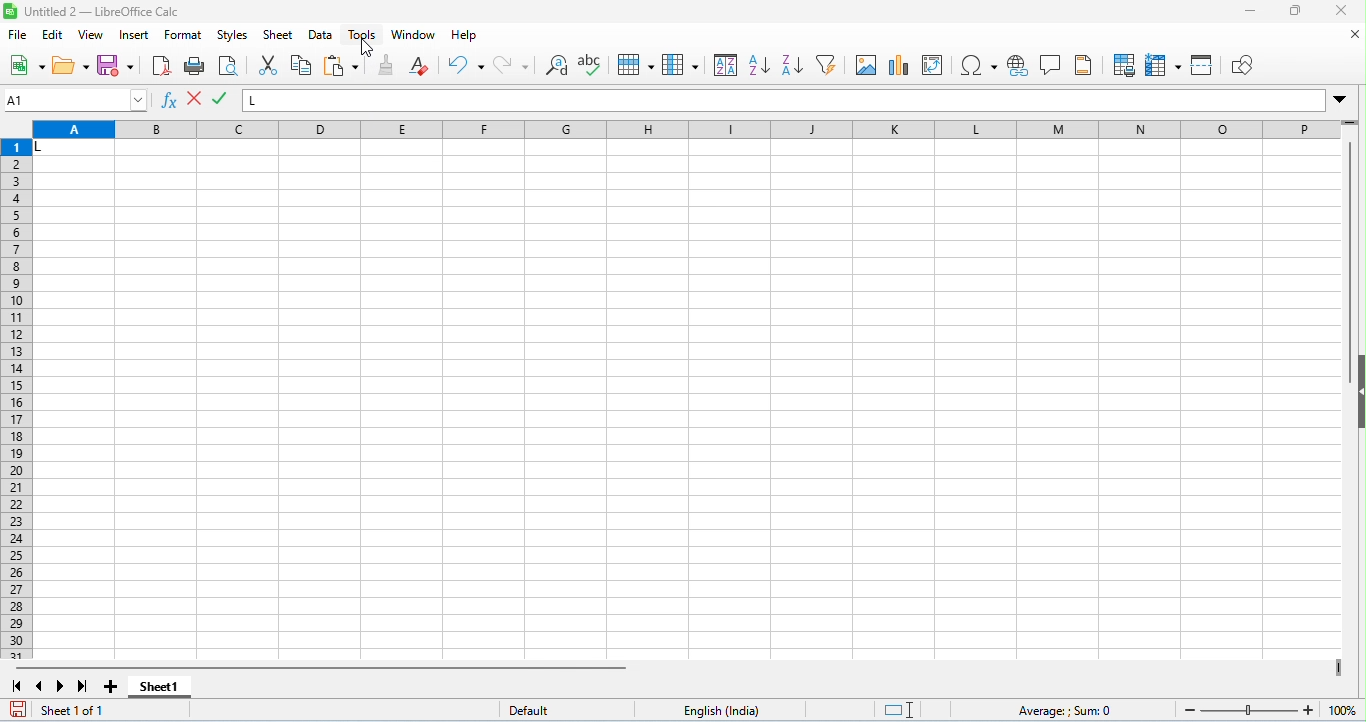  What do you see at coordinates (511, 65) in the screenshot?
I see `redo` at bounding box center [511, 65].